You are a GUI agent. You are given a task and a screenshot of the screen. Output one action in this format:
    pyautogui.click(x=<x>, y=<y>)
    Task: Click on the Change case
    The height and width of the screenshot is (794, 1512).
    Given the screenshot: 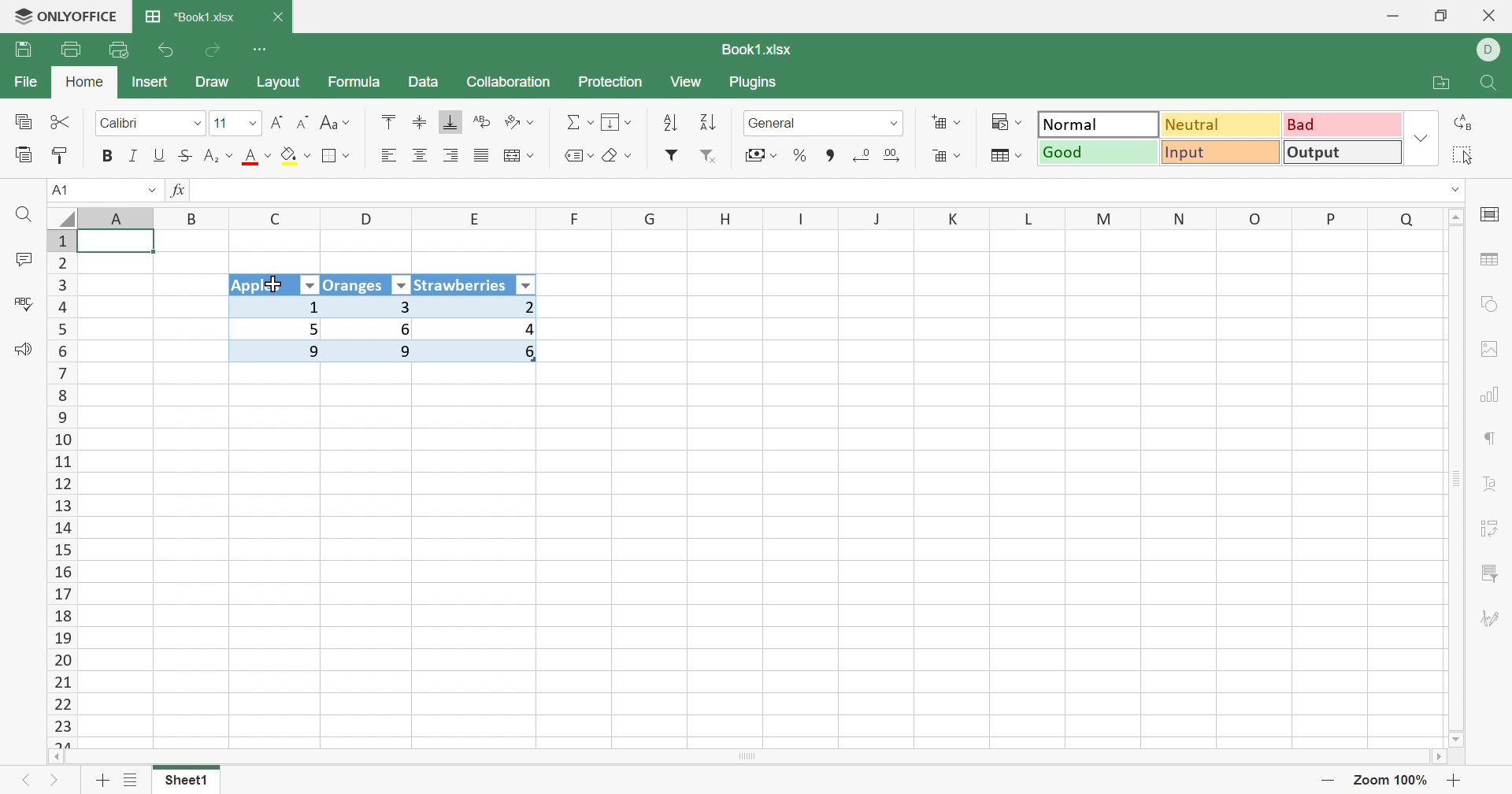 What is the action you would take?
    pyautogui.click(x=335, y=124)
    